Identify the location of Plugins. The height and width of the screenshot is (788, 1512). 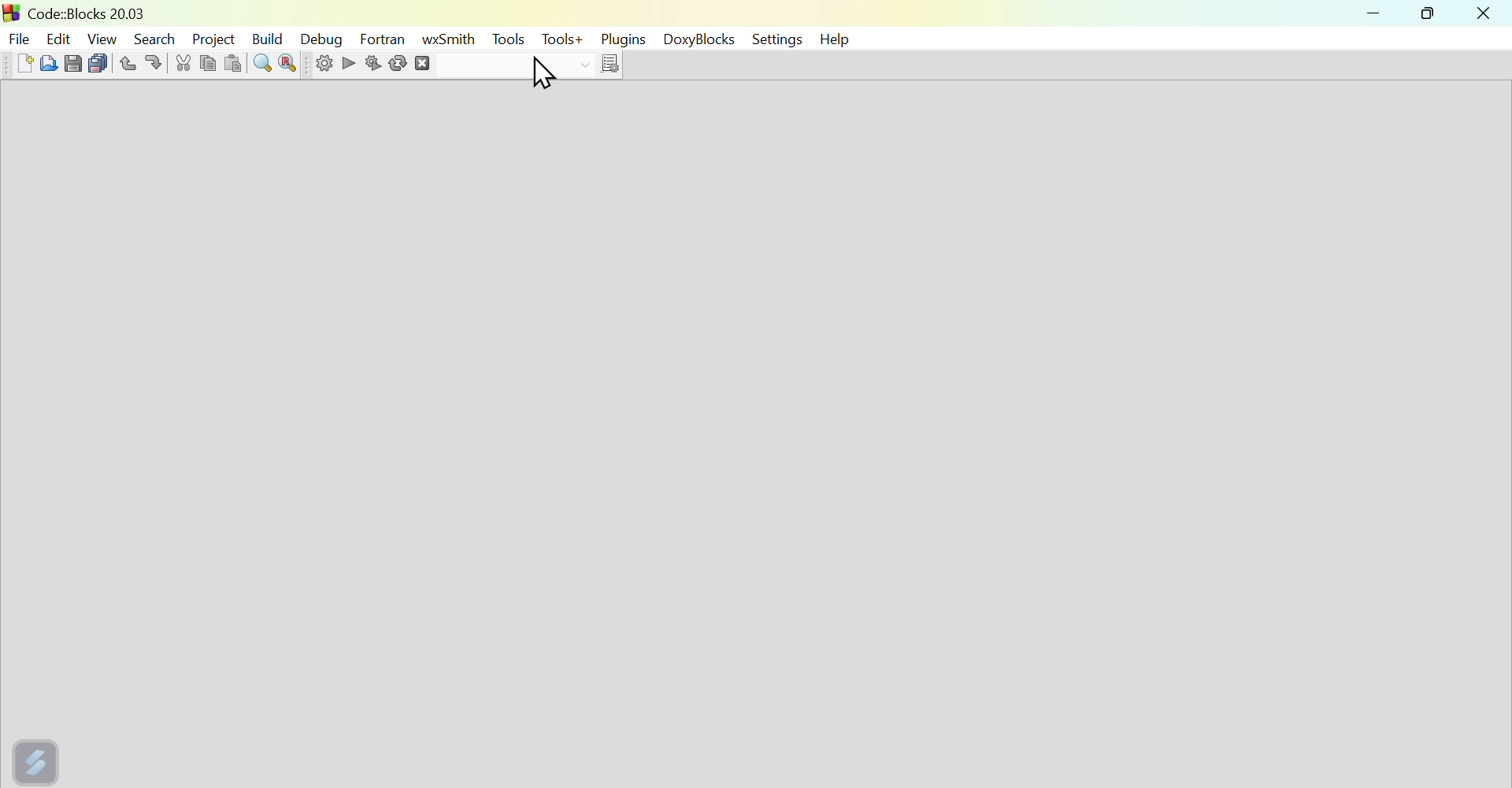
(621, 39).